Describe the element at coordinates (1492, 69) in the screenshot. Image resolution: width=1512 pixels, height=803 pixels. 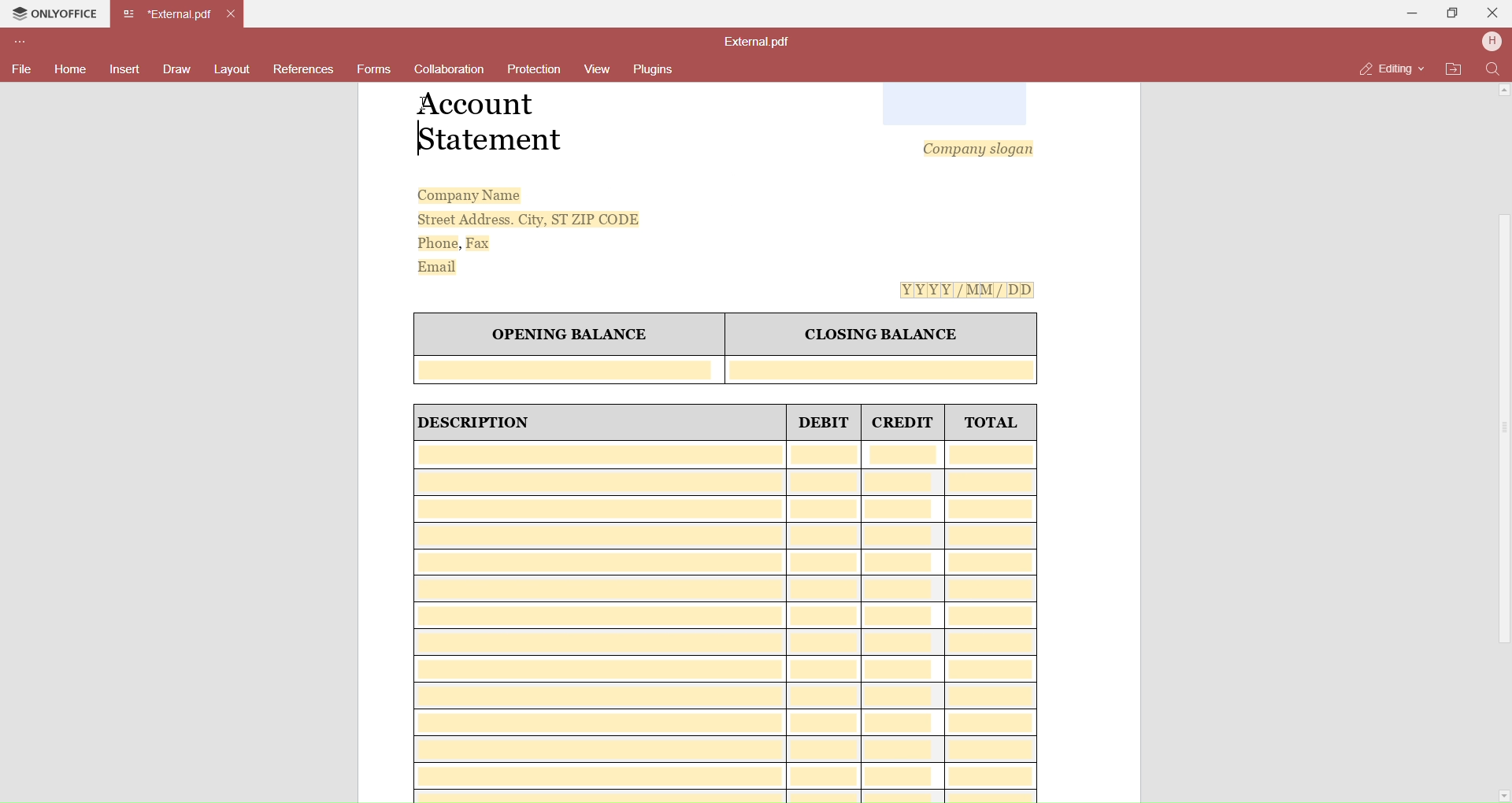
I see `Find` at that location.